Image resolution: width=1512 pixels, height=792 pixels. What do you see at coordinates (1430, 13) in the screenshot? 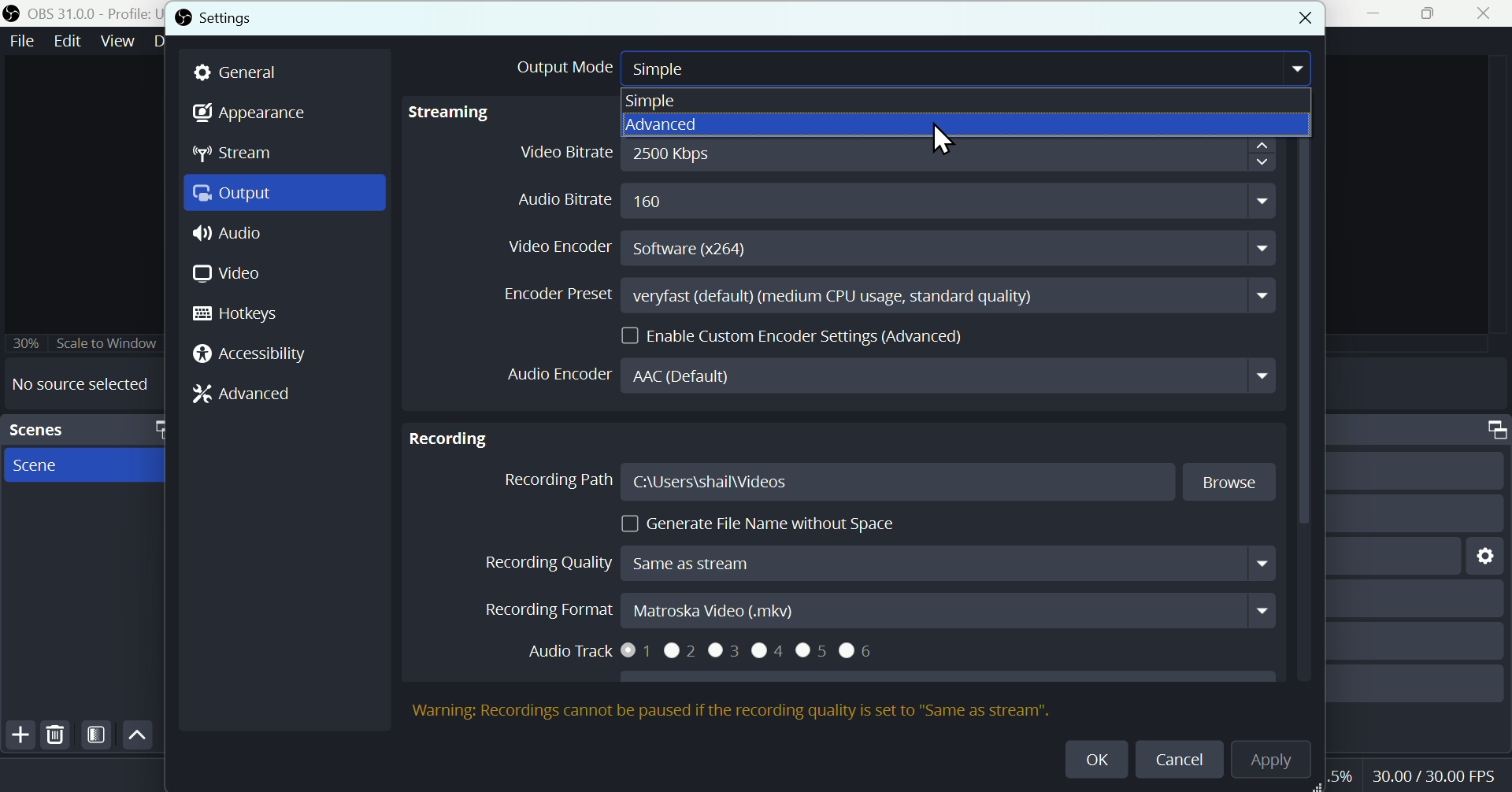
I see `Maximise` at bounding box center [1430, 13].